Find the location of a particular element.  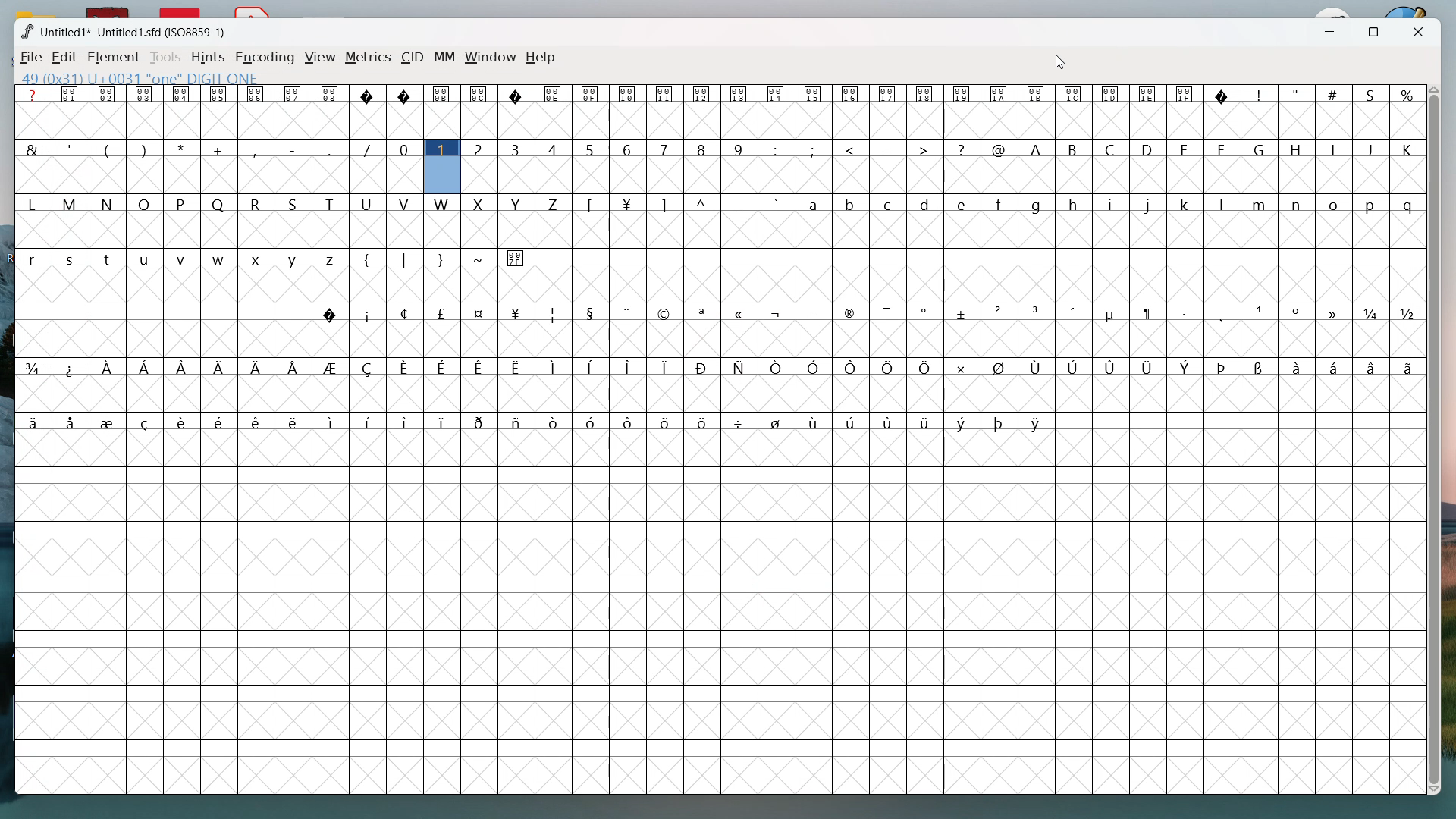

n is located at coordinates (1299, 205).